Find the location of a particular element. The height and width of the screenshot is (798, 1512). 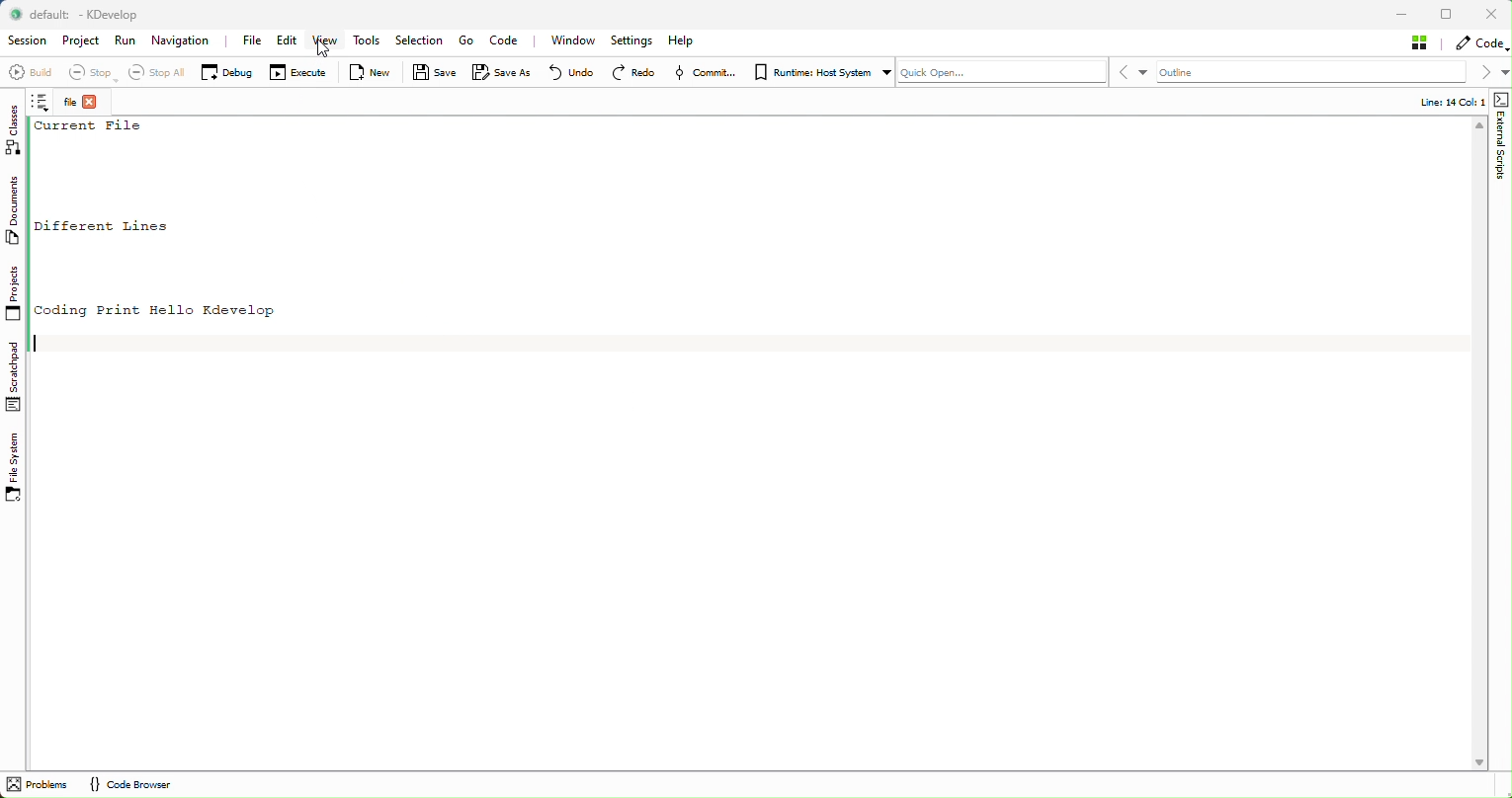

Outline is located at coordinates (1203, 72).